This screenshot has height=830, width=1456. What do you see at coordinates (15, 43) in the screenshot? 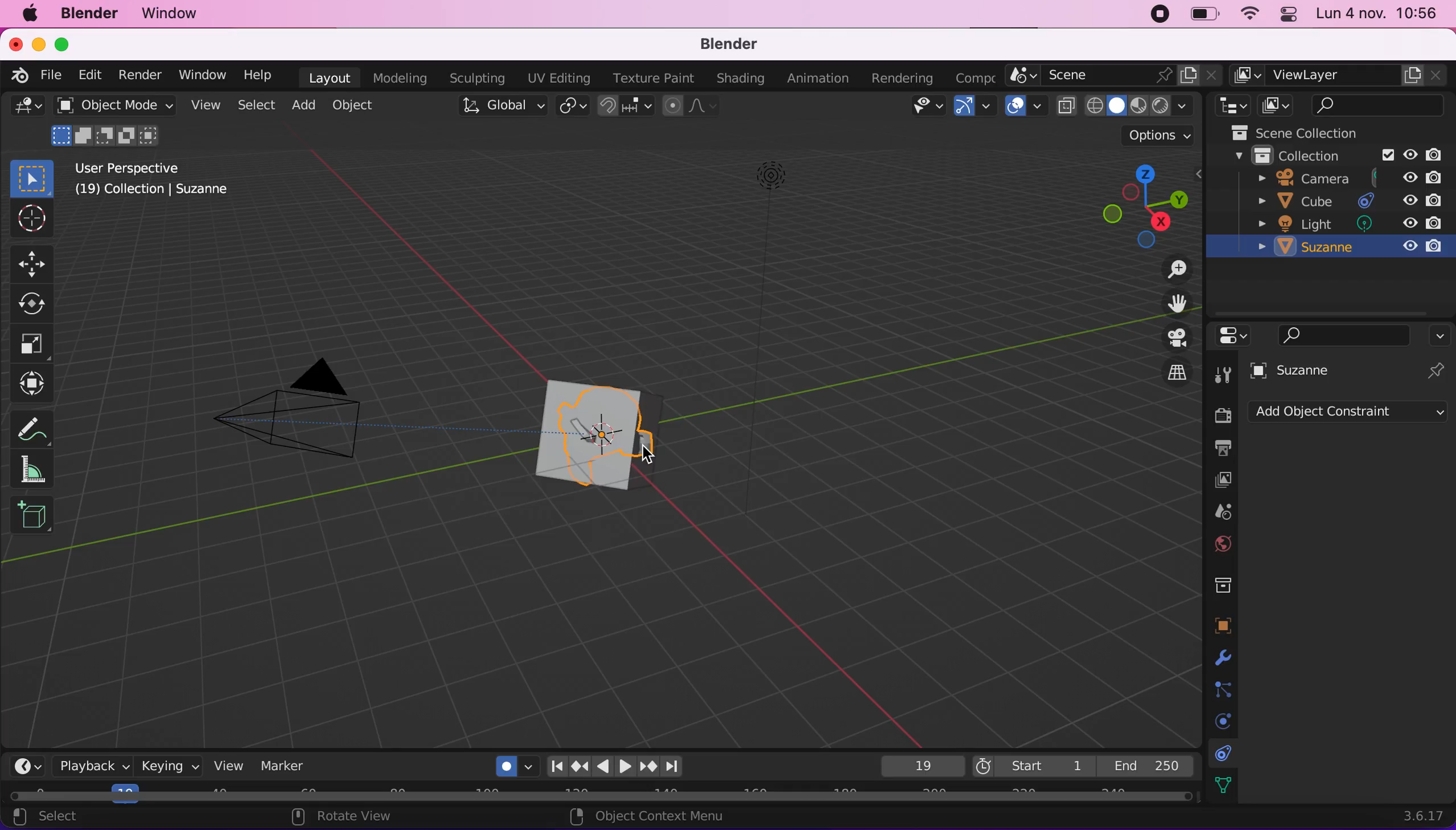
I see `close` at bounding box center [15, 43].